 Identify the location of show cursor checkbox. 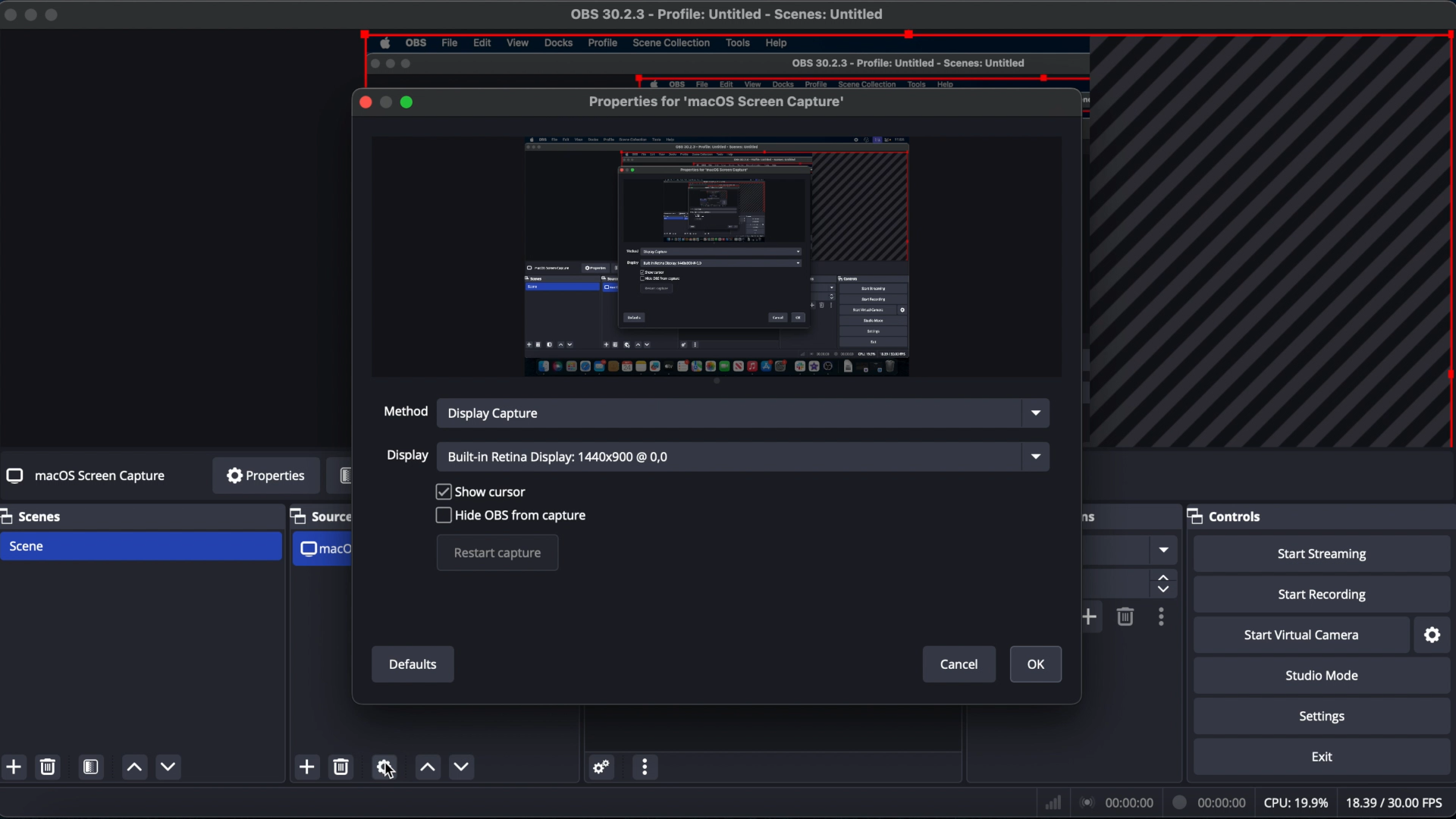
(480, 490).